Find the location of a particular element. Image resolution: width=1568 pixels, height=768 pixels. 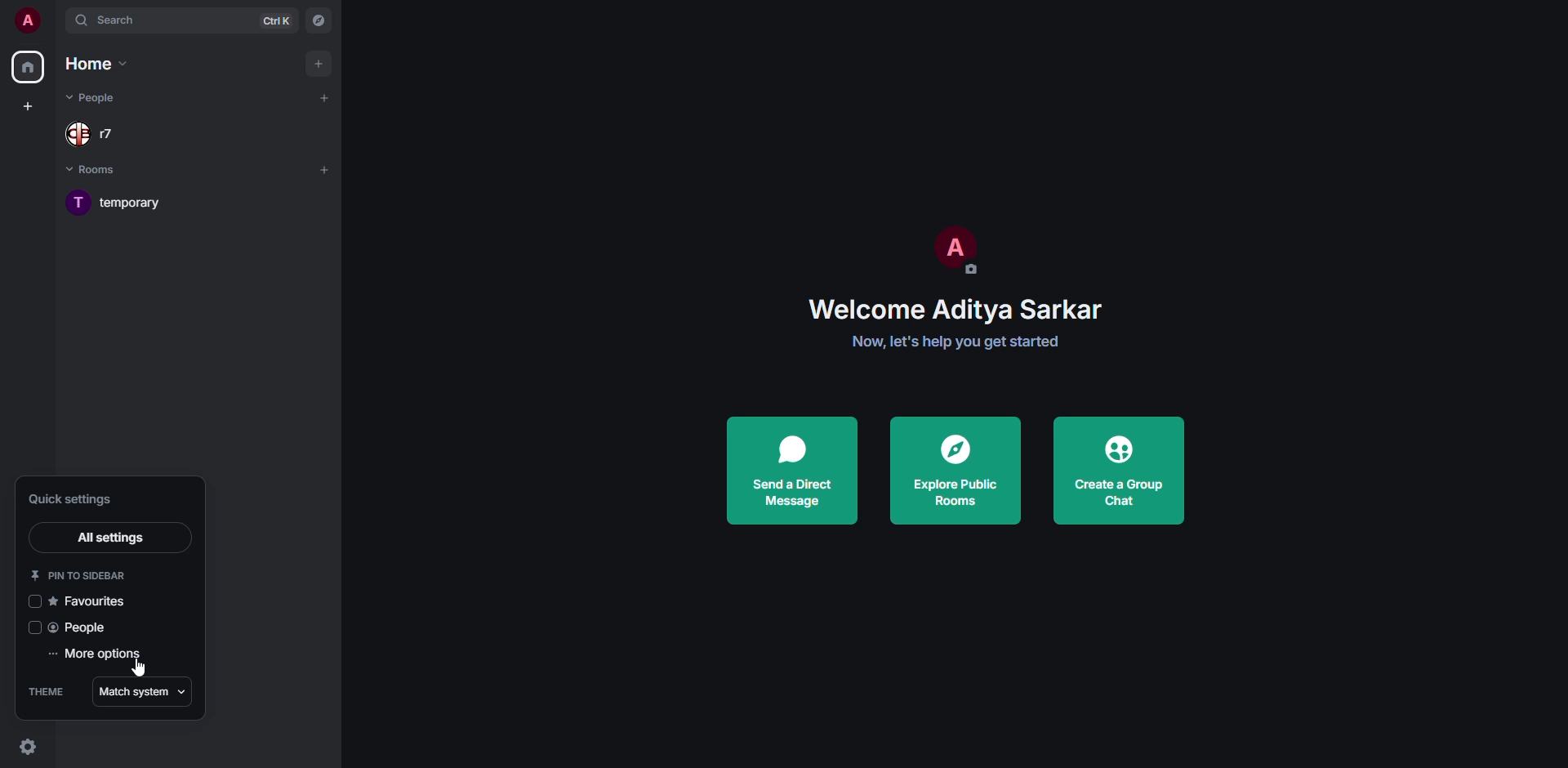

welcome is located at coordinates (959, 307).